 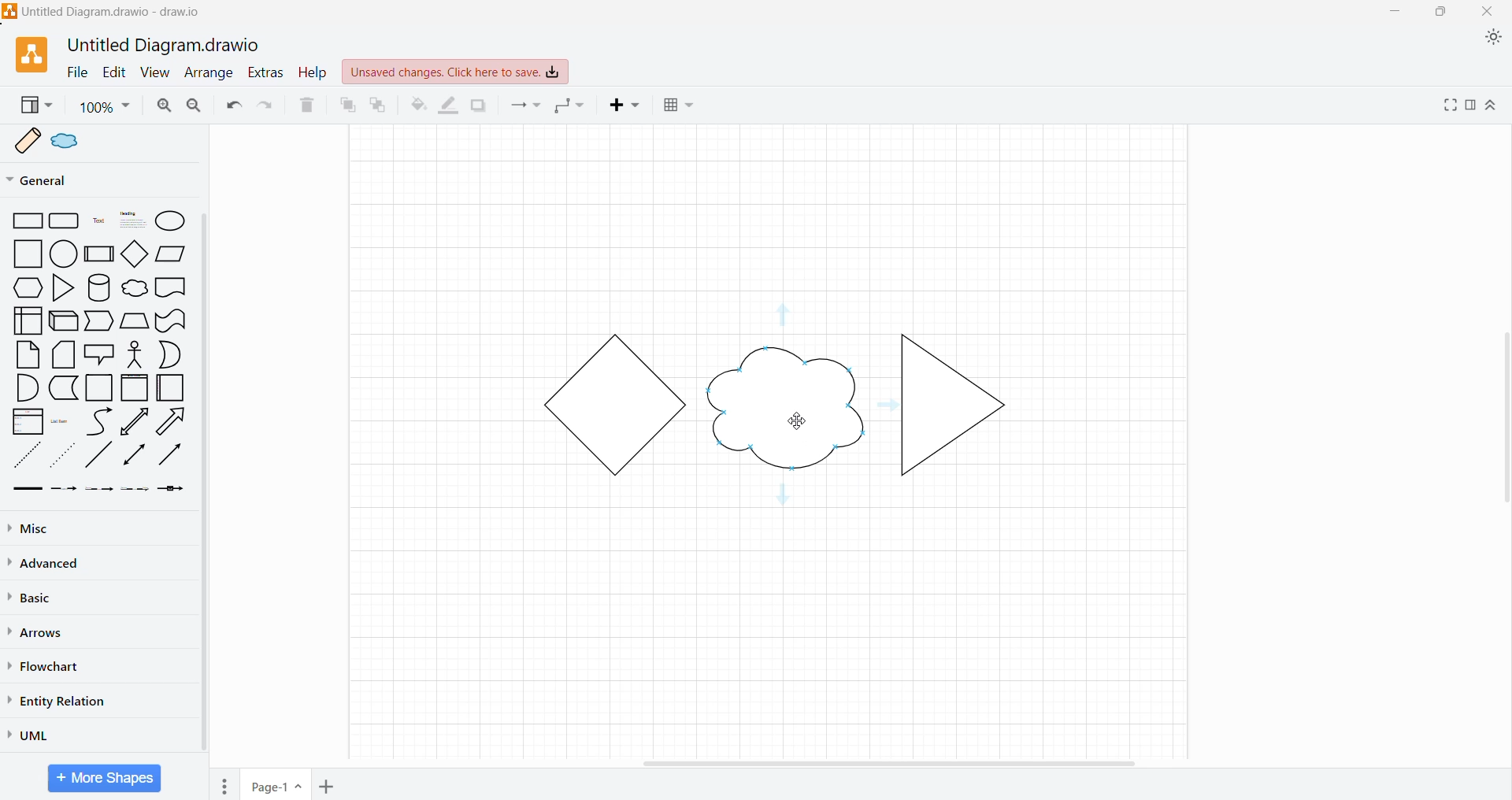 What do you see at coordinates (628, 107) in the screenshot?
I see `Insert` at bounding box center [628, 107].